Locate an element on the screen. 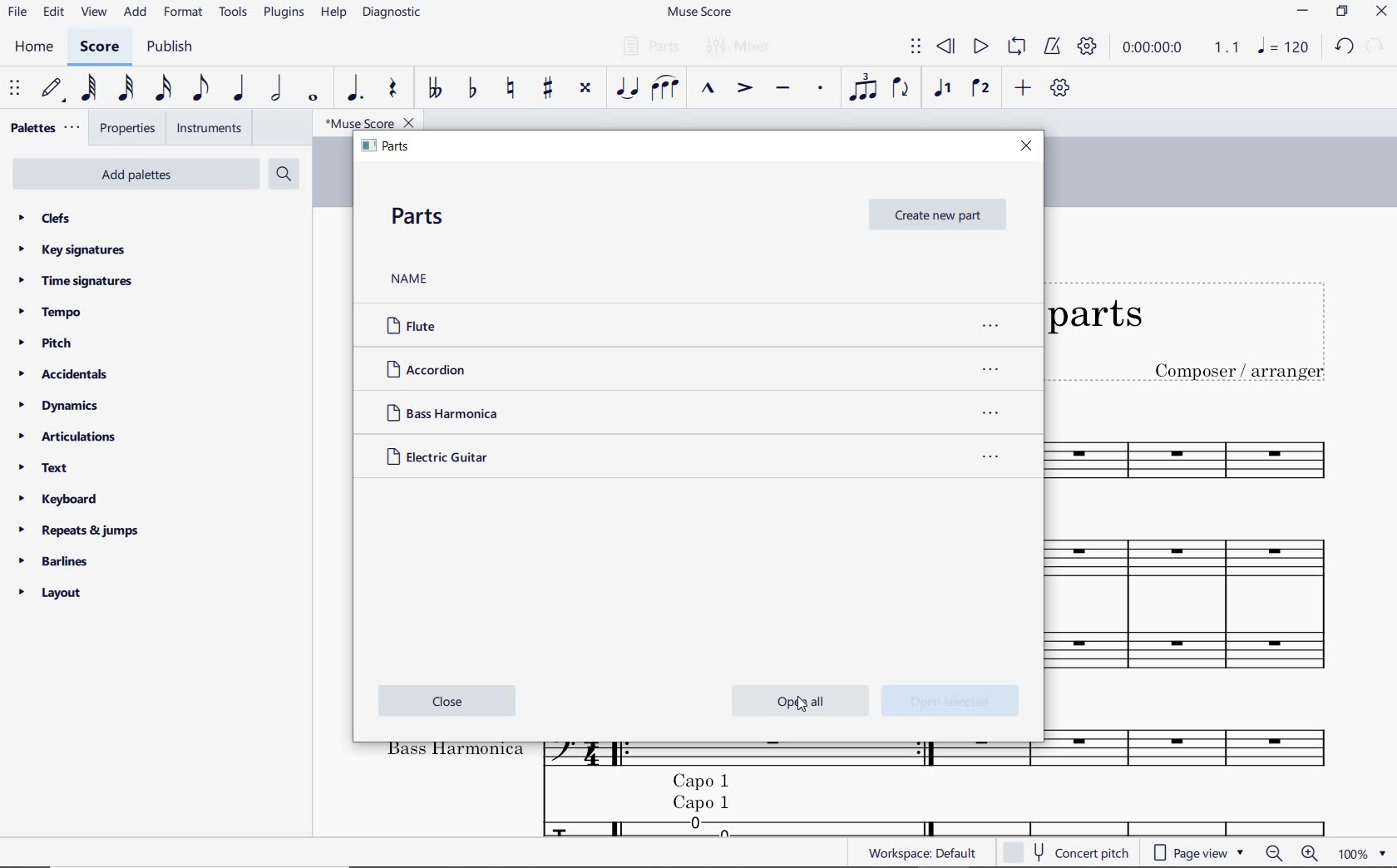 The image size is (1397, 868). Instrument: Bass Harmonica is located at coordinates (683, 755).